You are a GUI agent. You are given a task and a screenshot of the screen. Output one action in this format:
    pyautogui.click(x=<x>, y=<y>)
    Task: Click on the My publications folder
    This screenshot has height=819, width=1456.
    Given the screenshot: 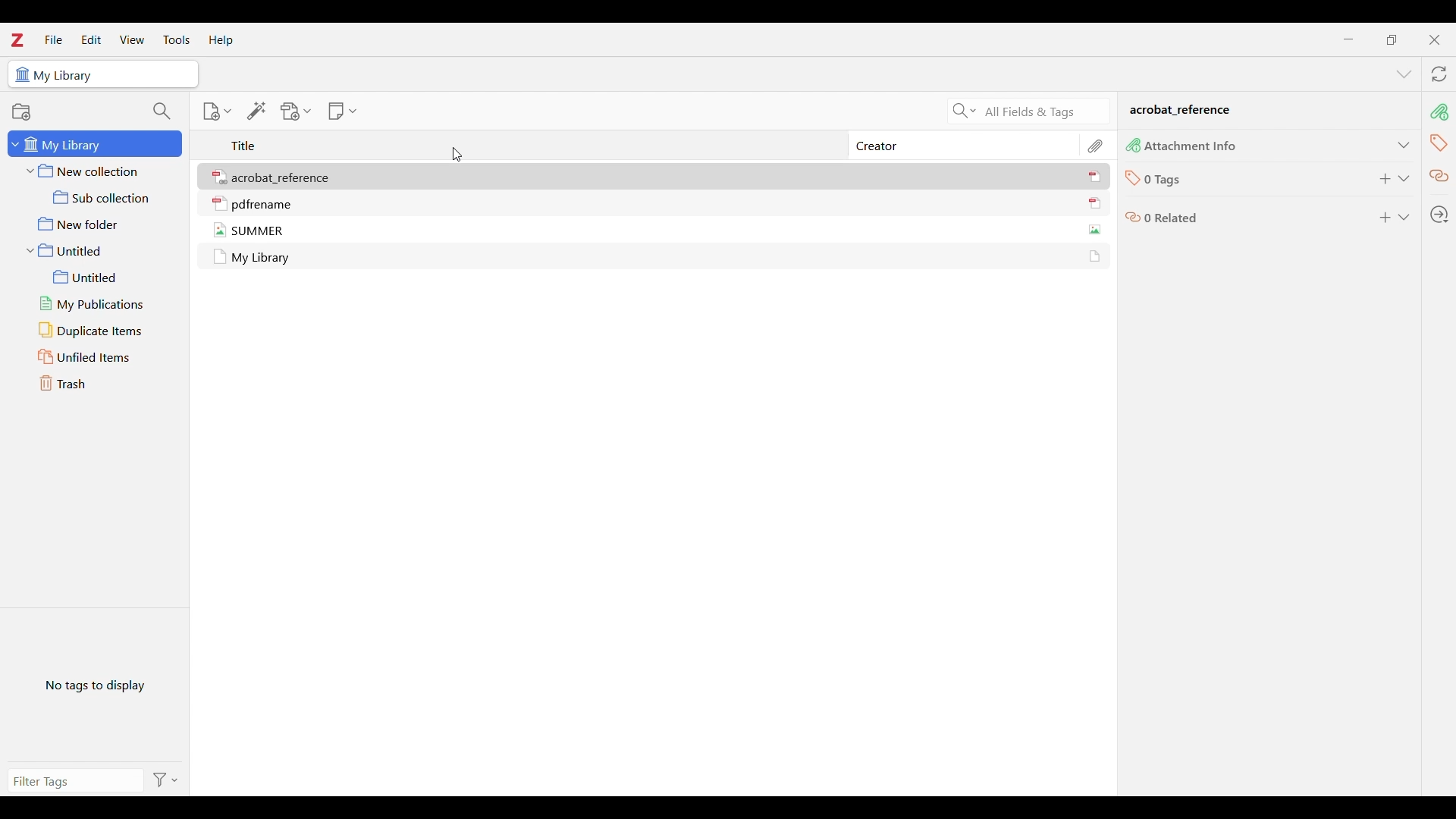 What is the action you would take?
    pyautogui.click(x=100, y=304)
    